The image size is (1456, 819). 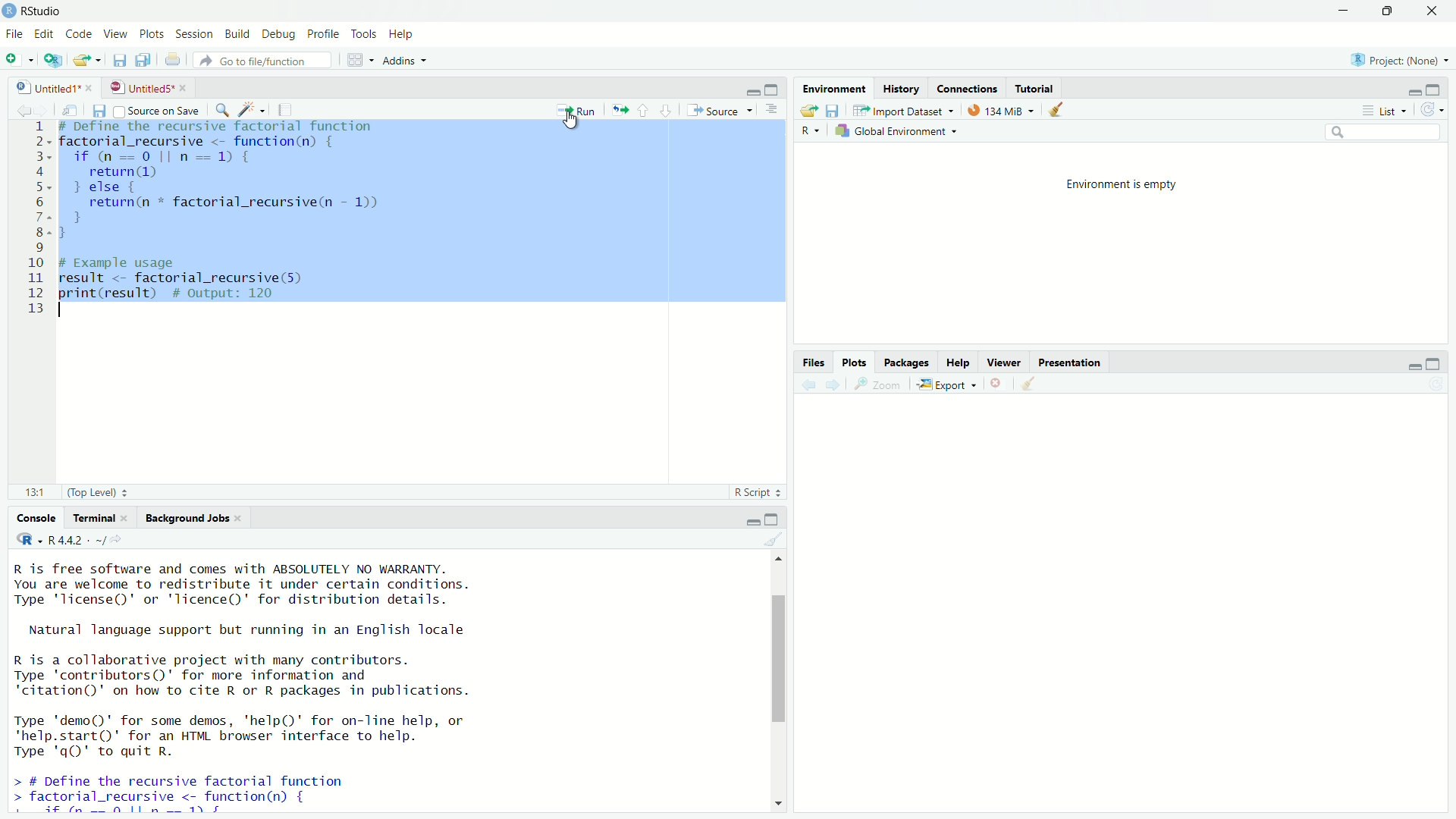 I want to click on Background Jobs, so click(x=191, y=517).